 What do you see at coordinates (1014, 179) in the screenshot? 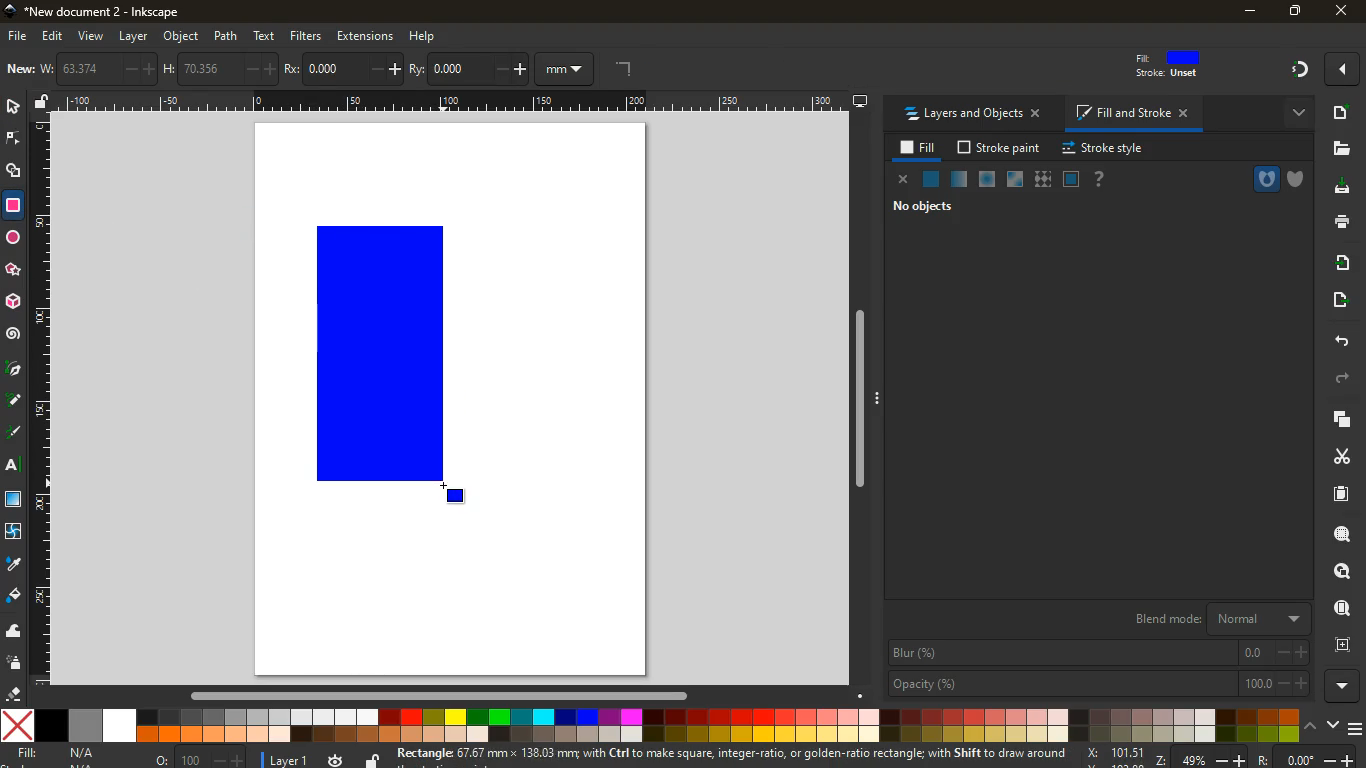
I see `window` at bounding box center [1014, 179].